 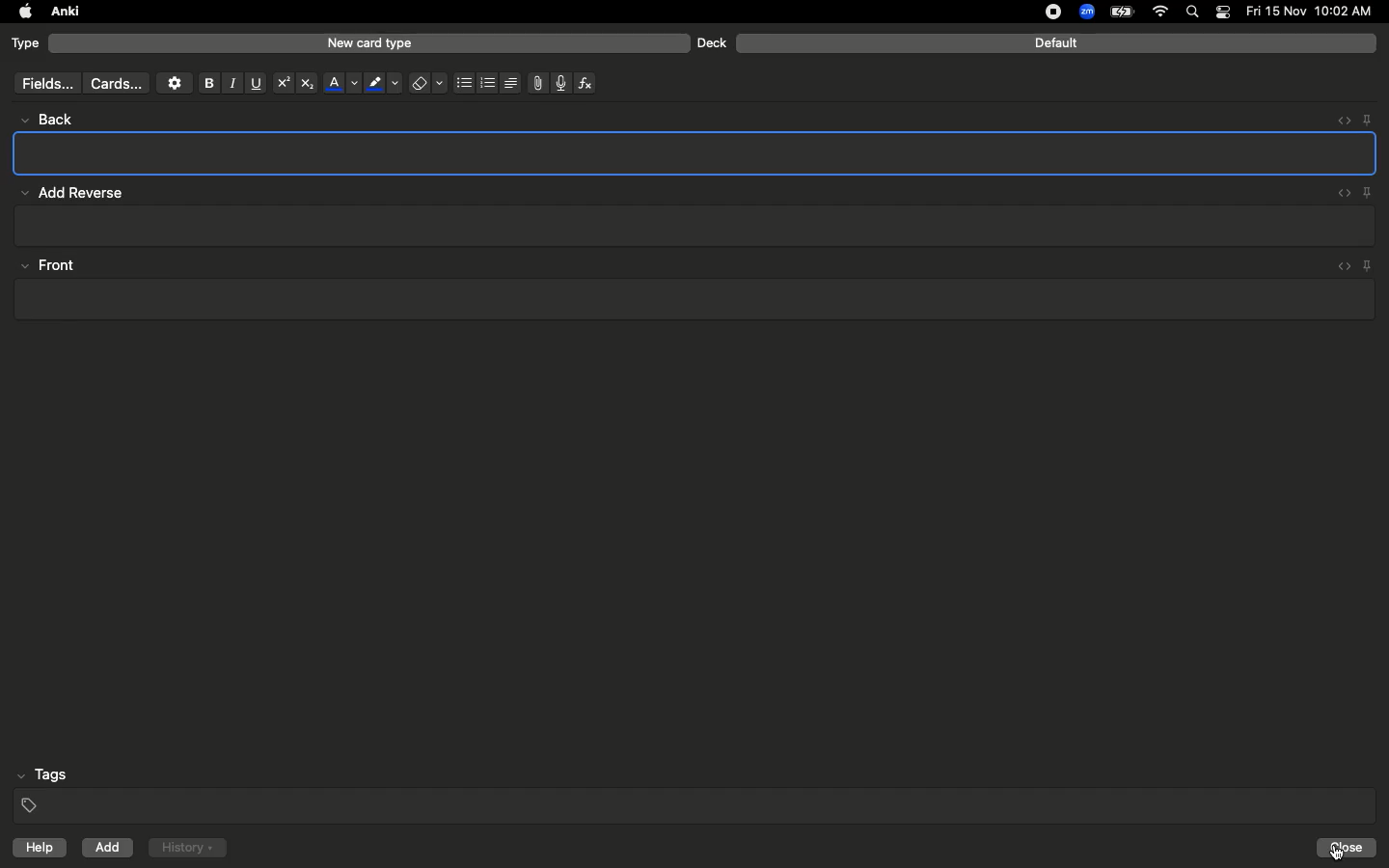 I want to click on embed, so click(x=1340, y=192).